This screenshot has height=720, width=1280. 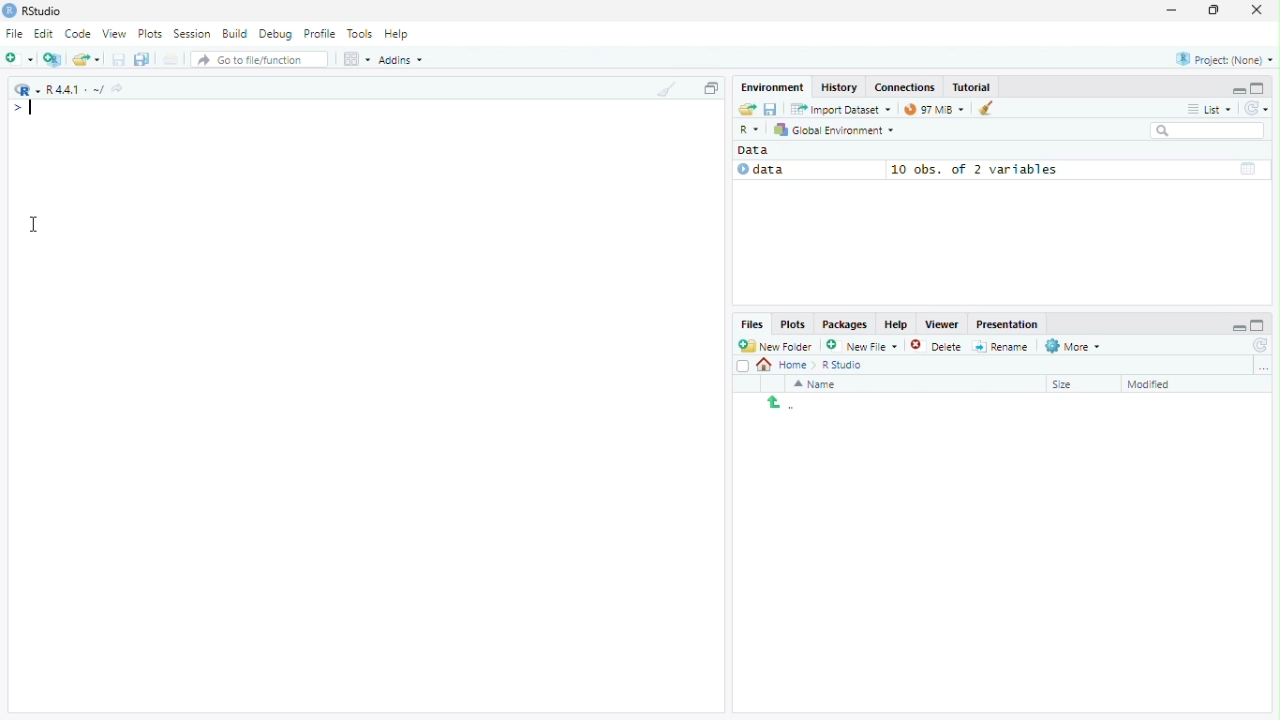 What do you see at coordinates (1010, 324) in the screenshot?
I see `presentation` at bounding box center [1010, 324].